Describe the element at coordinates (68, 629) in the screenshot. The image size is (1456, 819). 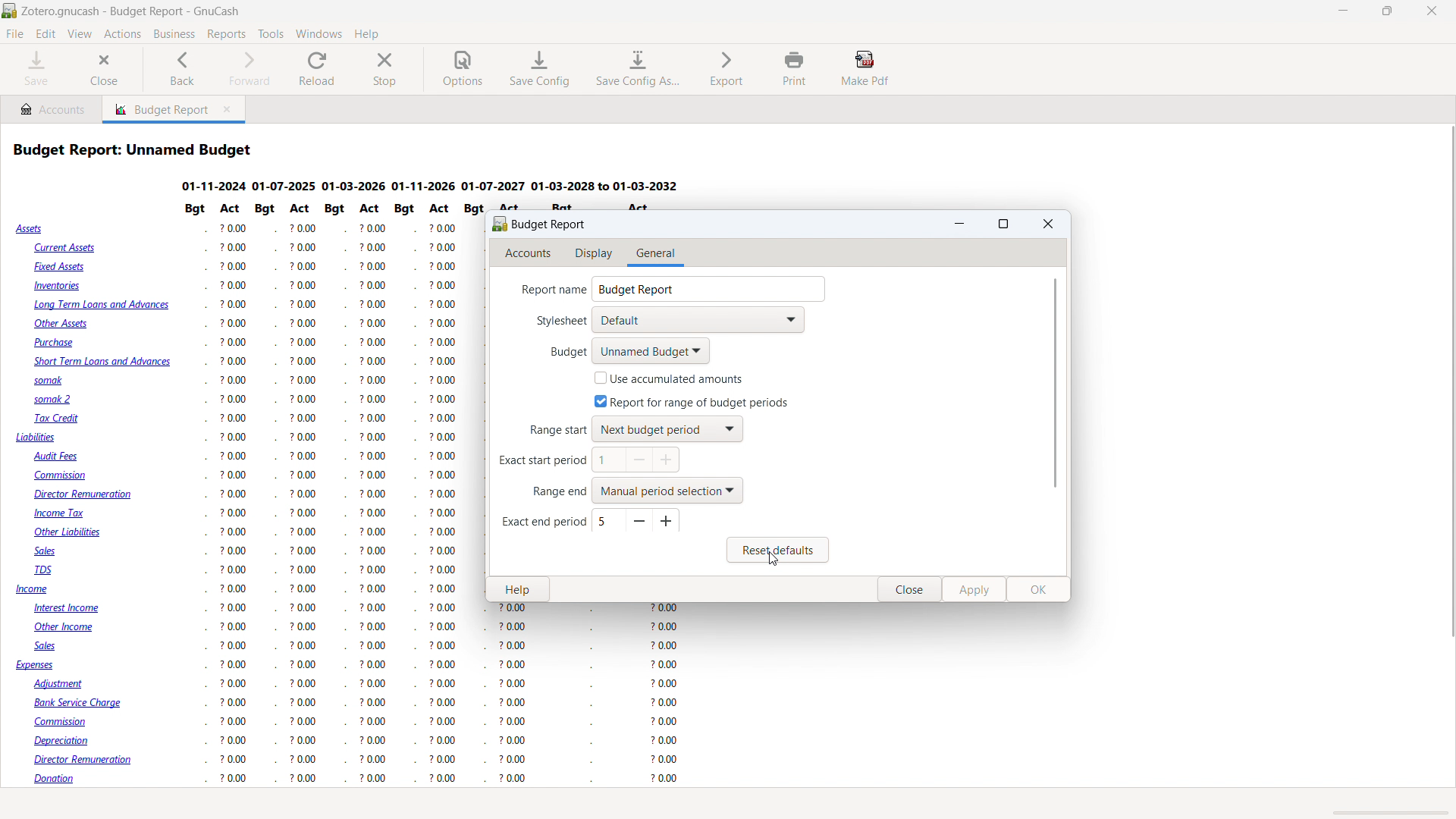
I see `Other Income` at that location.